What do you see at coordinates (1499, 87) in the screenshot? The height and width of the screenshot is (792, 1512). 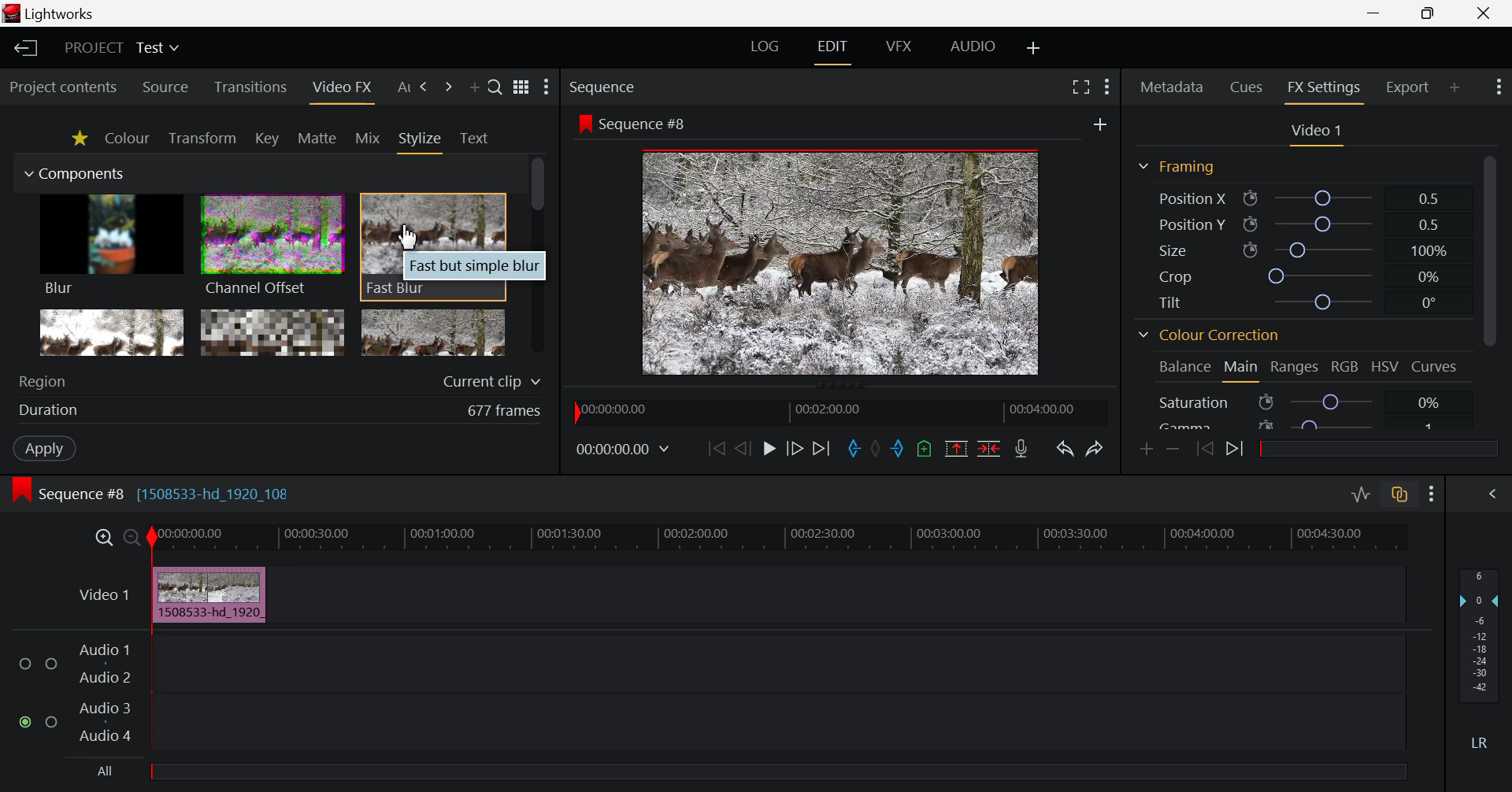 I see `Show Settings` at bounding box center [1499, 87].